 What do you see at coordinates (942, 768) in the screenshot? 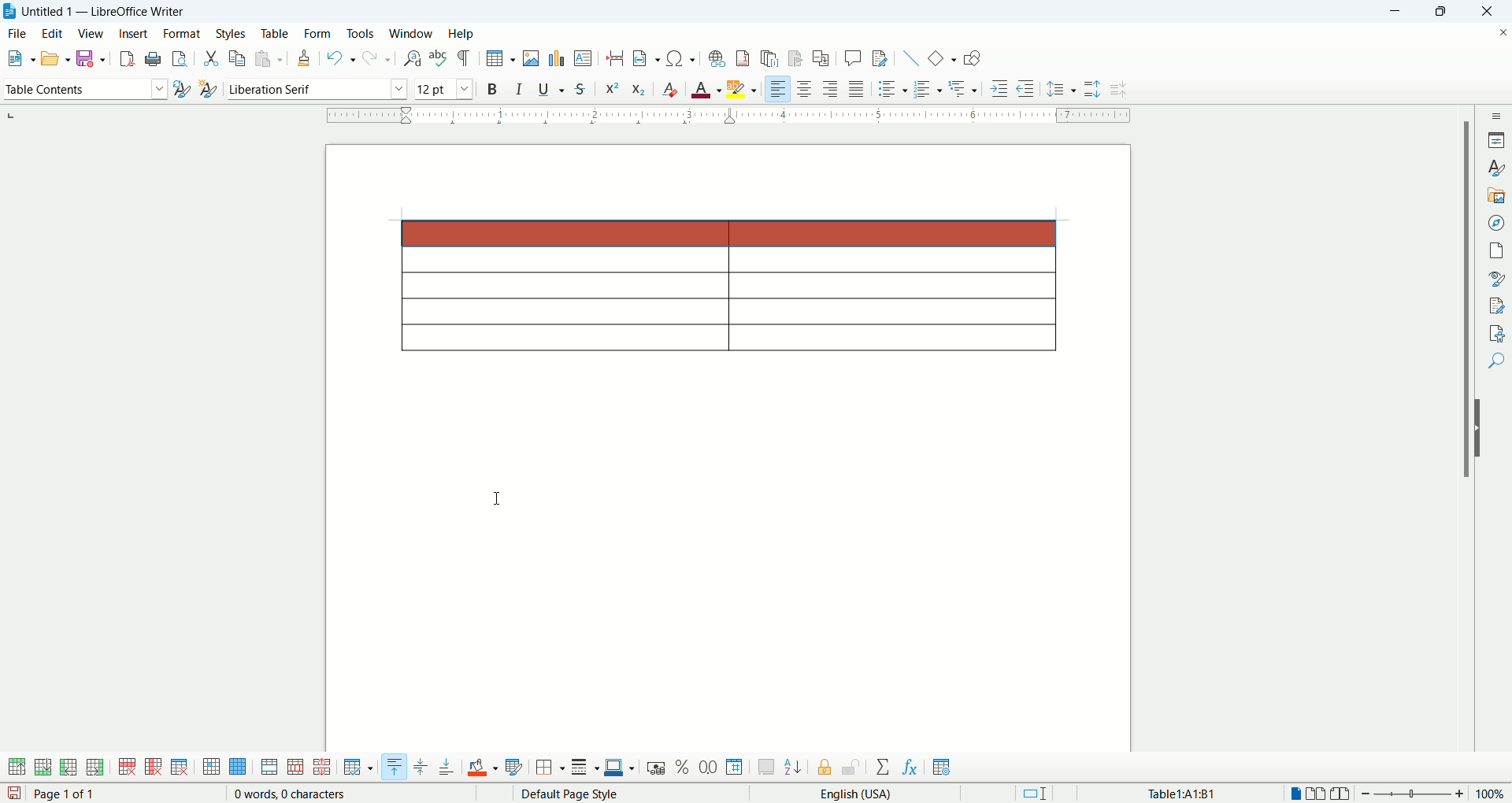
I see `table properties` at bounding box center [942, 768].